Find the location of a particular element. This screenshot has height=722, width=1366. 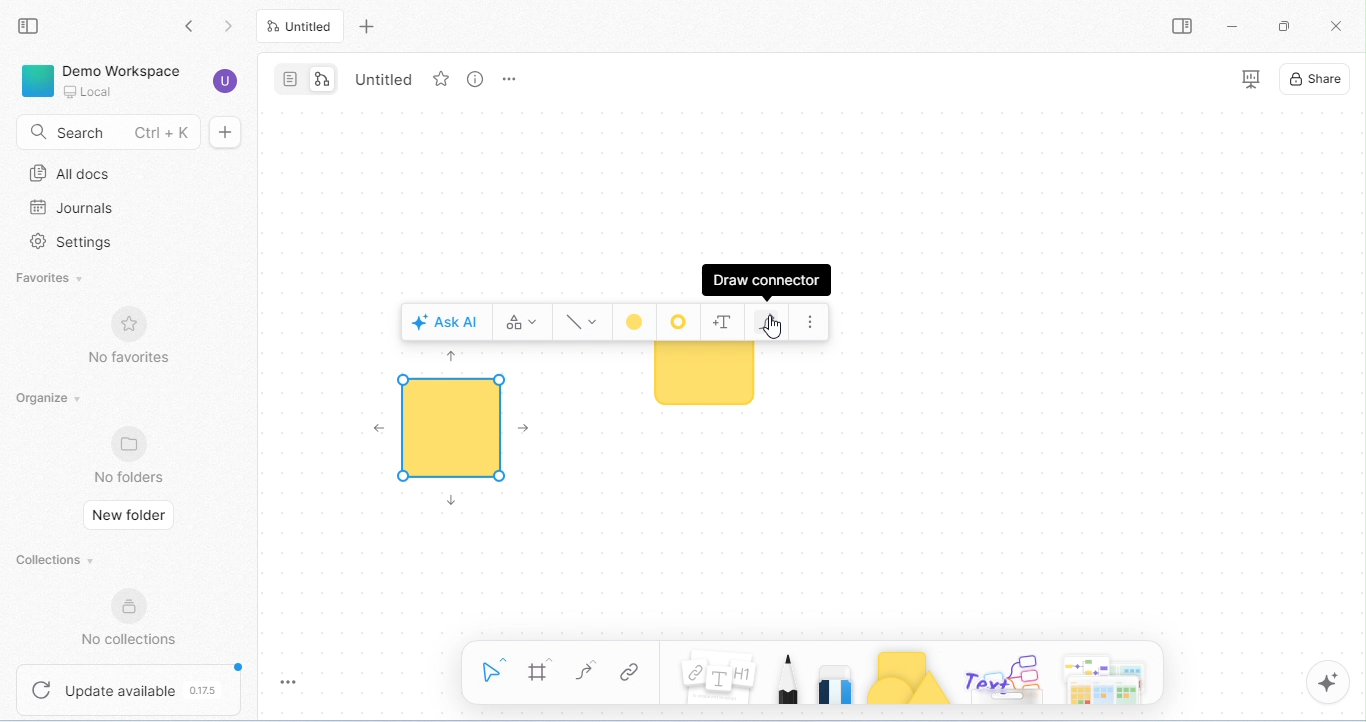

switch type is located at coordinates (522, 322).